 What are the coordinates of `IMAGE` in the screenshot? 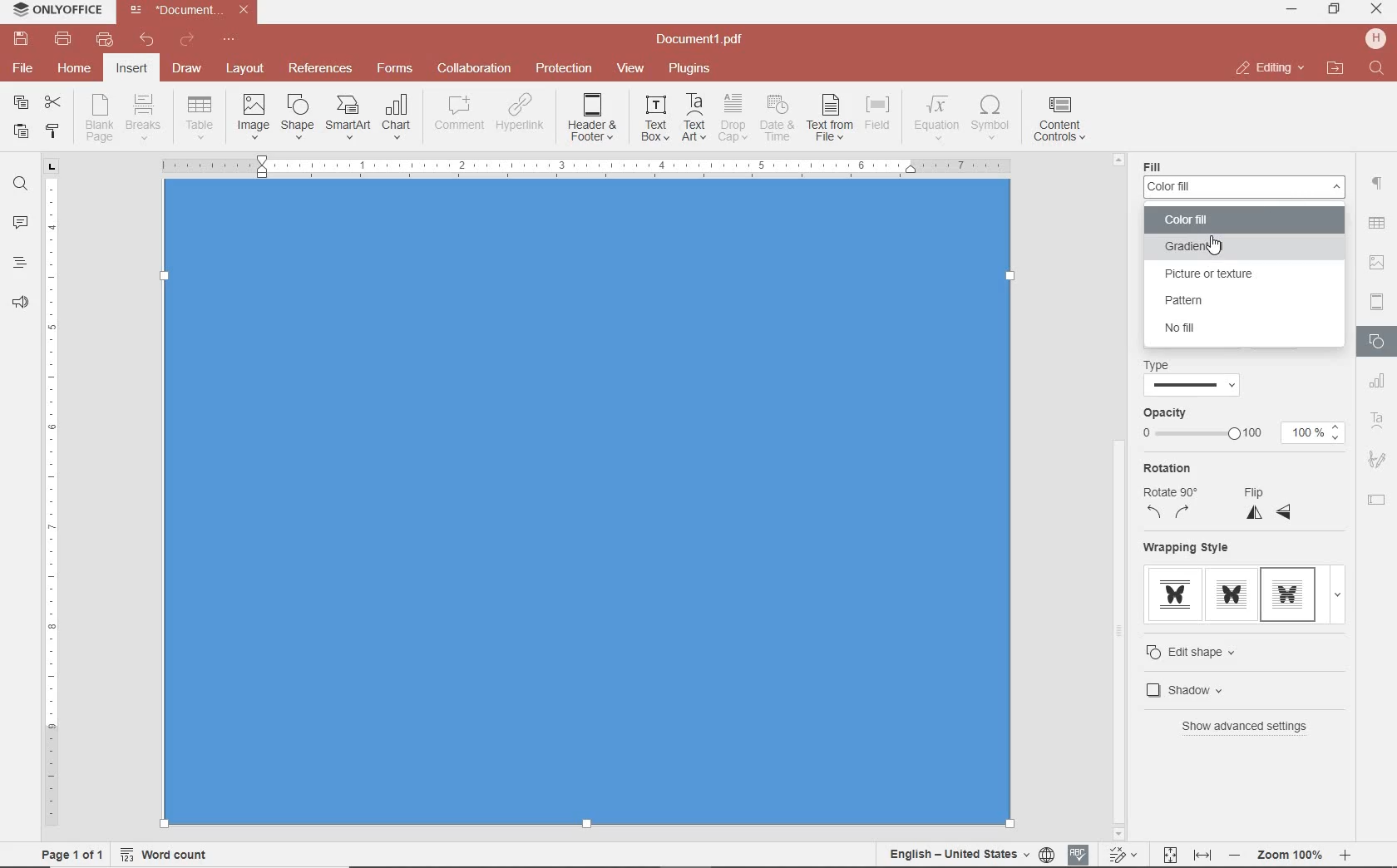 It's located at (1378, 264).